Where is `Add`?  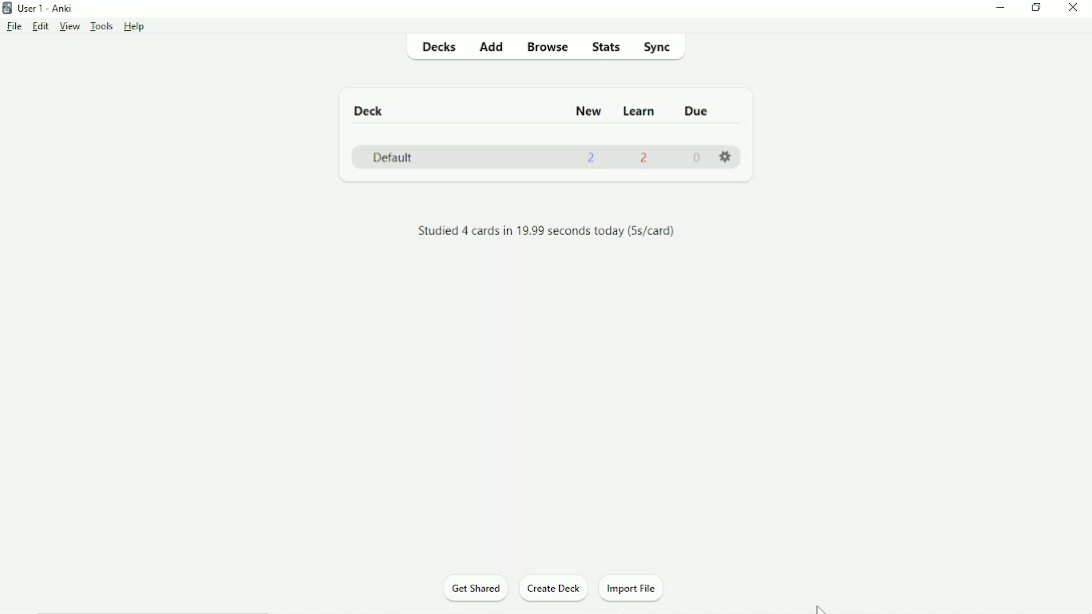
Add is located at coordinates (493, 47).